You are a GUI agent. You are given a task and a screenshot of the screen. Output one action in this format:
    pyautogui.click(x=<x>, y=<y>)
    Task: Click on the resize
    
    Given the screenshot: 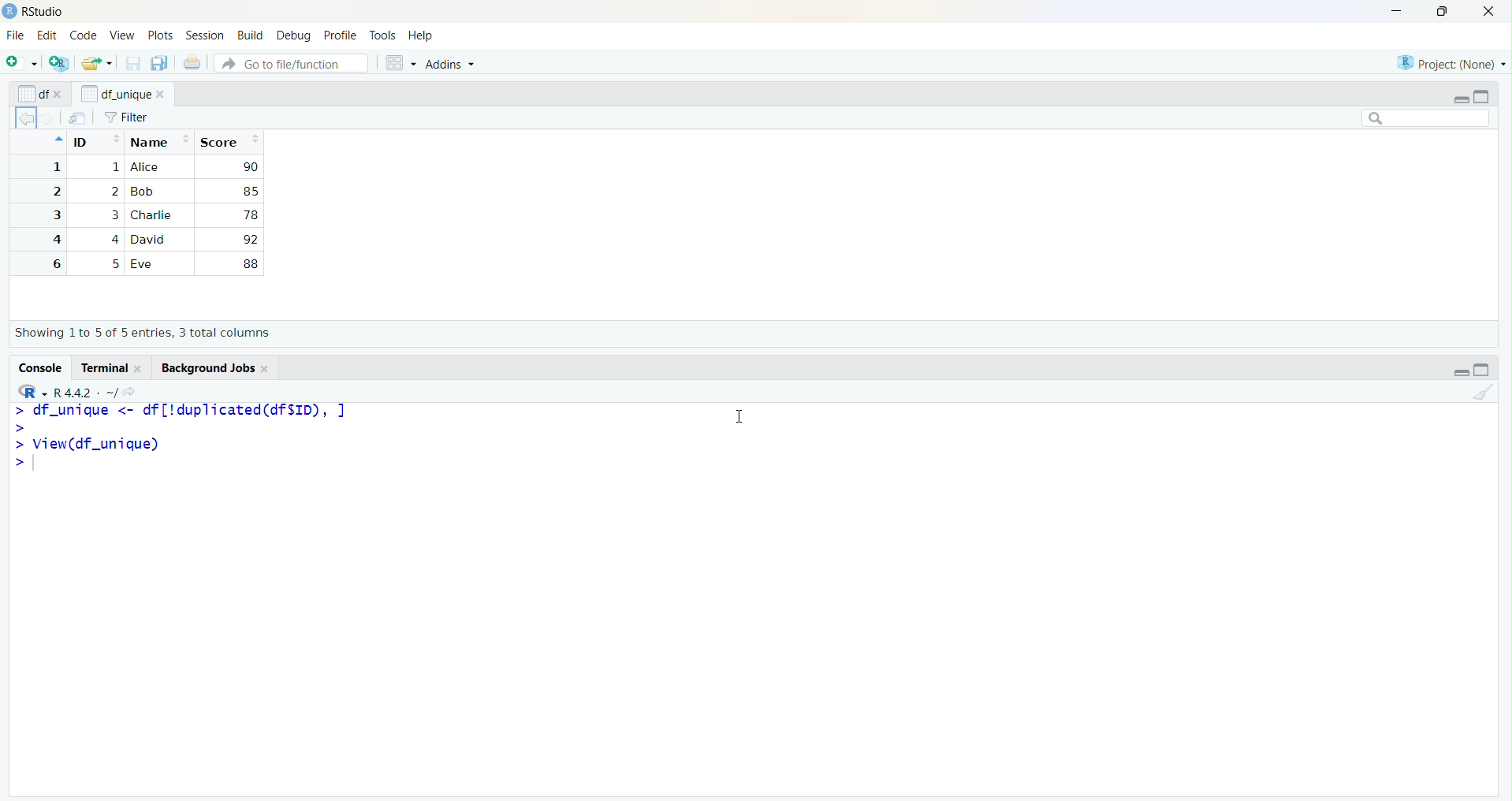 What is the action you would take?
    pyautogui.click(x=1443, y=12)
    